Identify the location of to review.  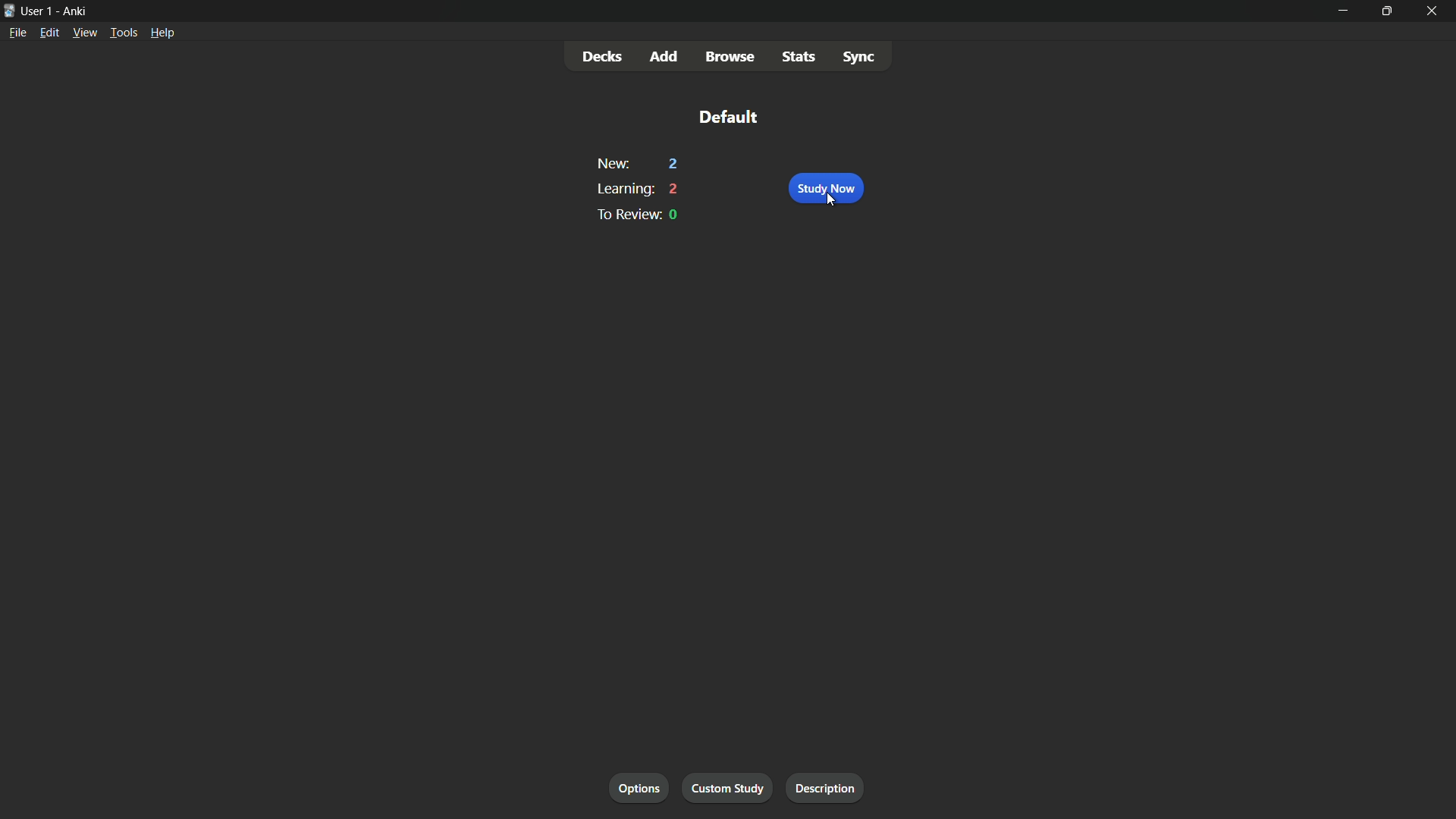
(629, 215).